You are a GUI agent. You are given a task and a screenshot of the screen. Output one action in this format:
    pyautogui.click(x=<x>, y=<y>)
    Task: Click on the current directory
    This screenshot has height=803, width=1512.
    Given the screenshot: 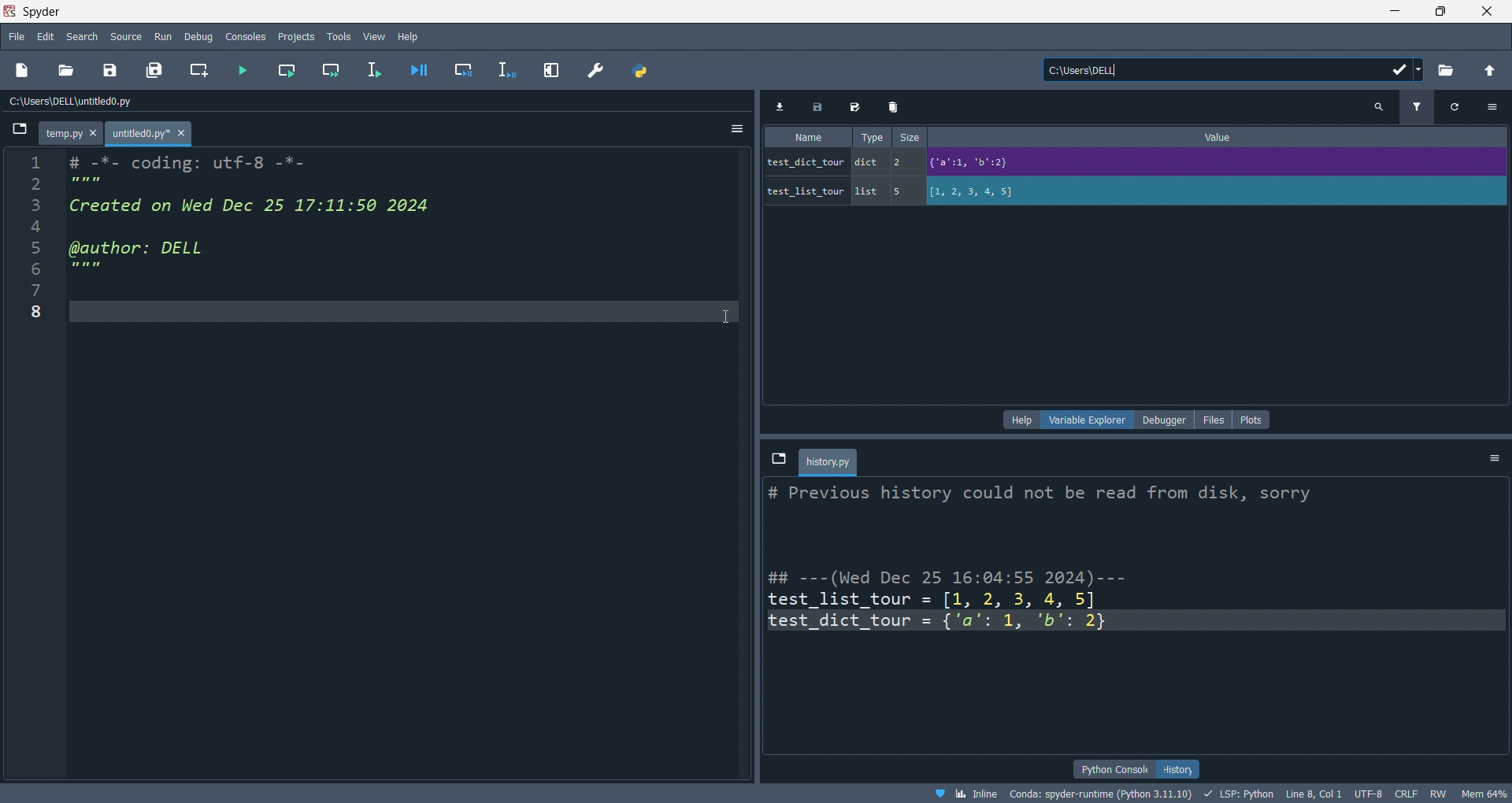 What is the action you would take?
    pyautogui.click(x=1233, y=71)
    